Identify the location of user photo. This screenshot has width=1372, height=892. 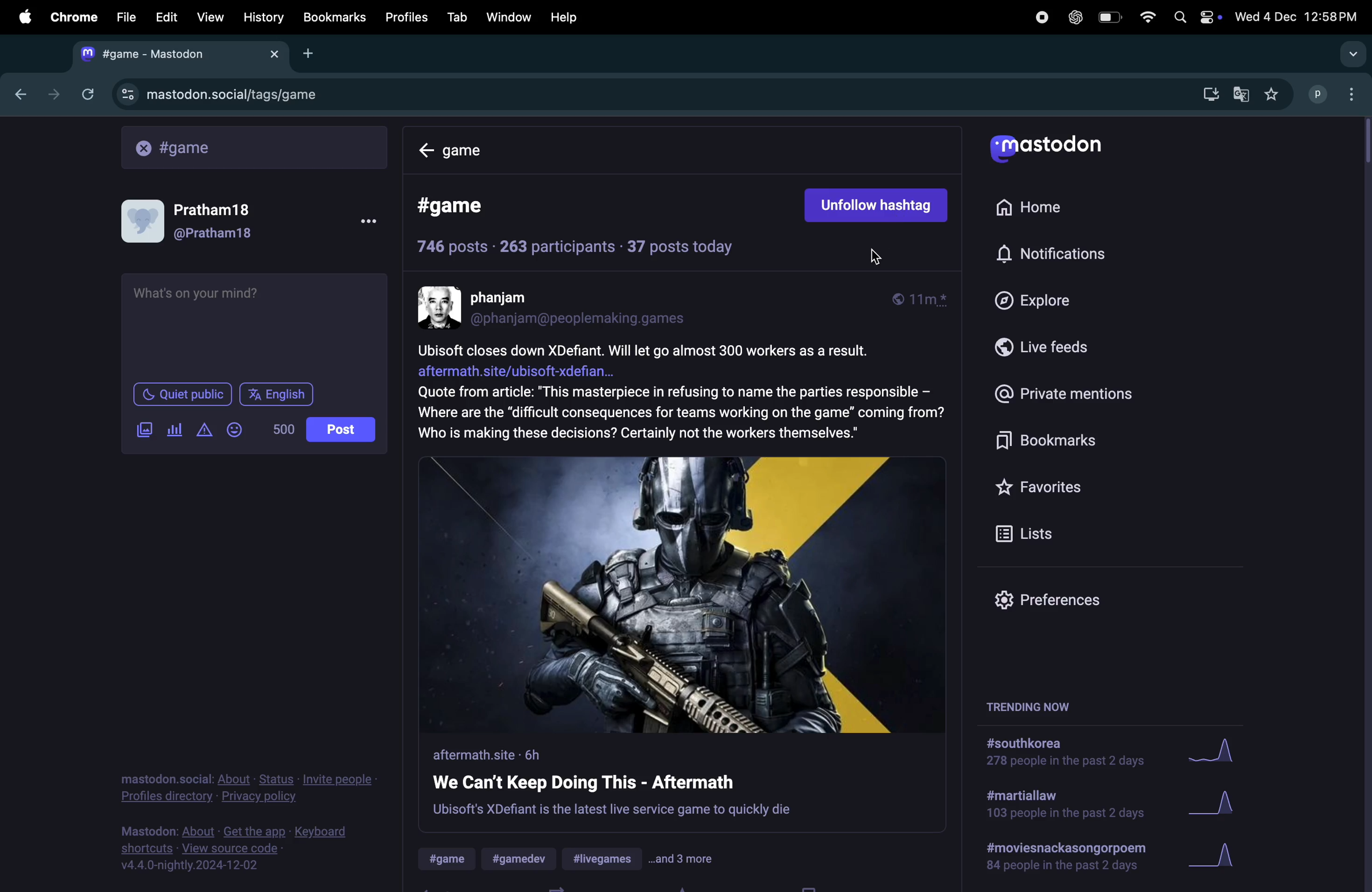
(441, 307).